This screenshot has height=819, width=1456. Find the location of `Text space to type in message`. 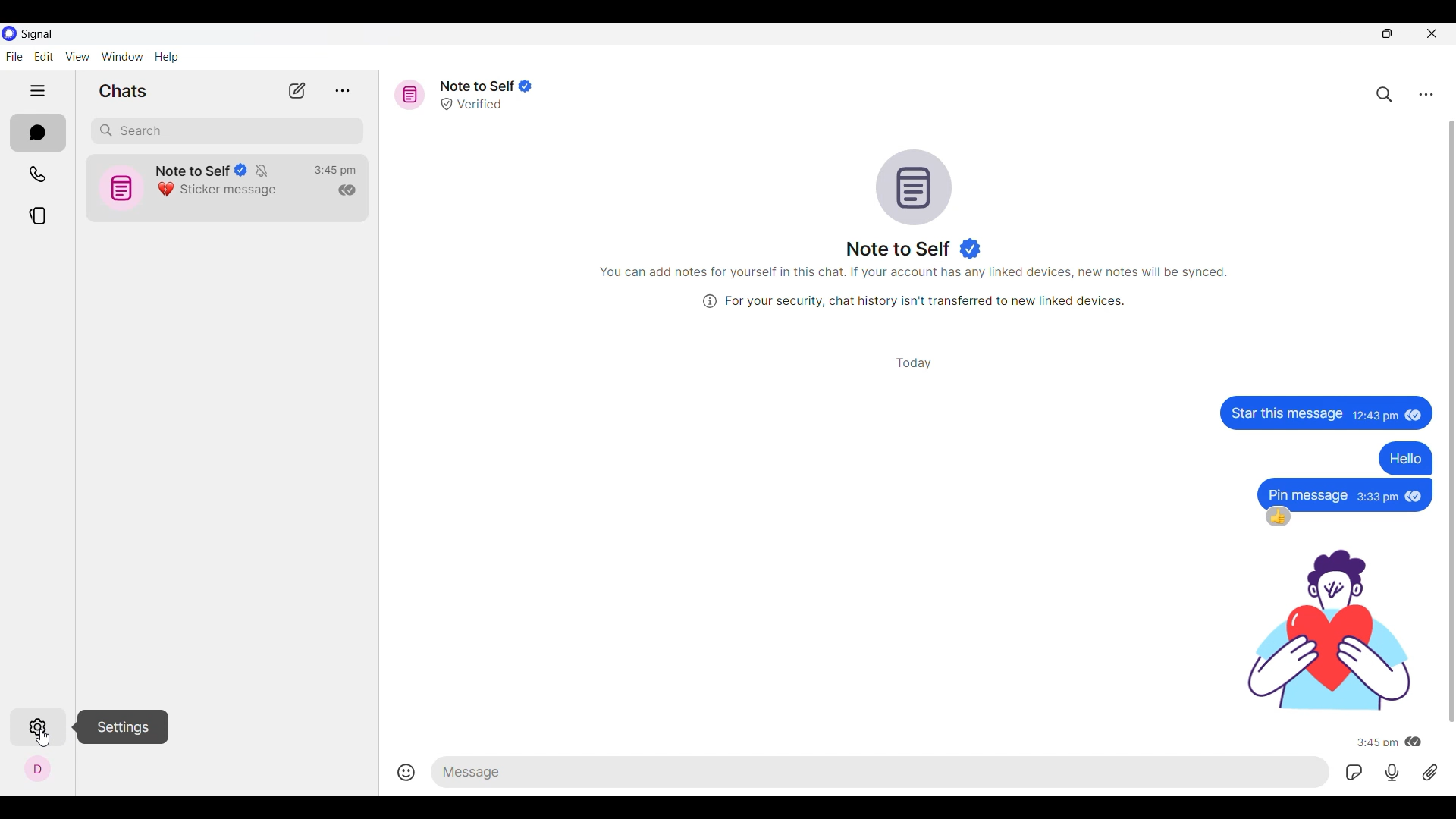

Text space to type in message is located at coordinates (883, 772).